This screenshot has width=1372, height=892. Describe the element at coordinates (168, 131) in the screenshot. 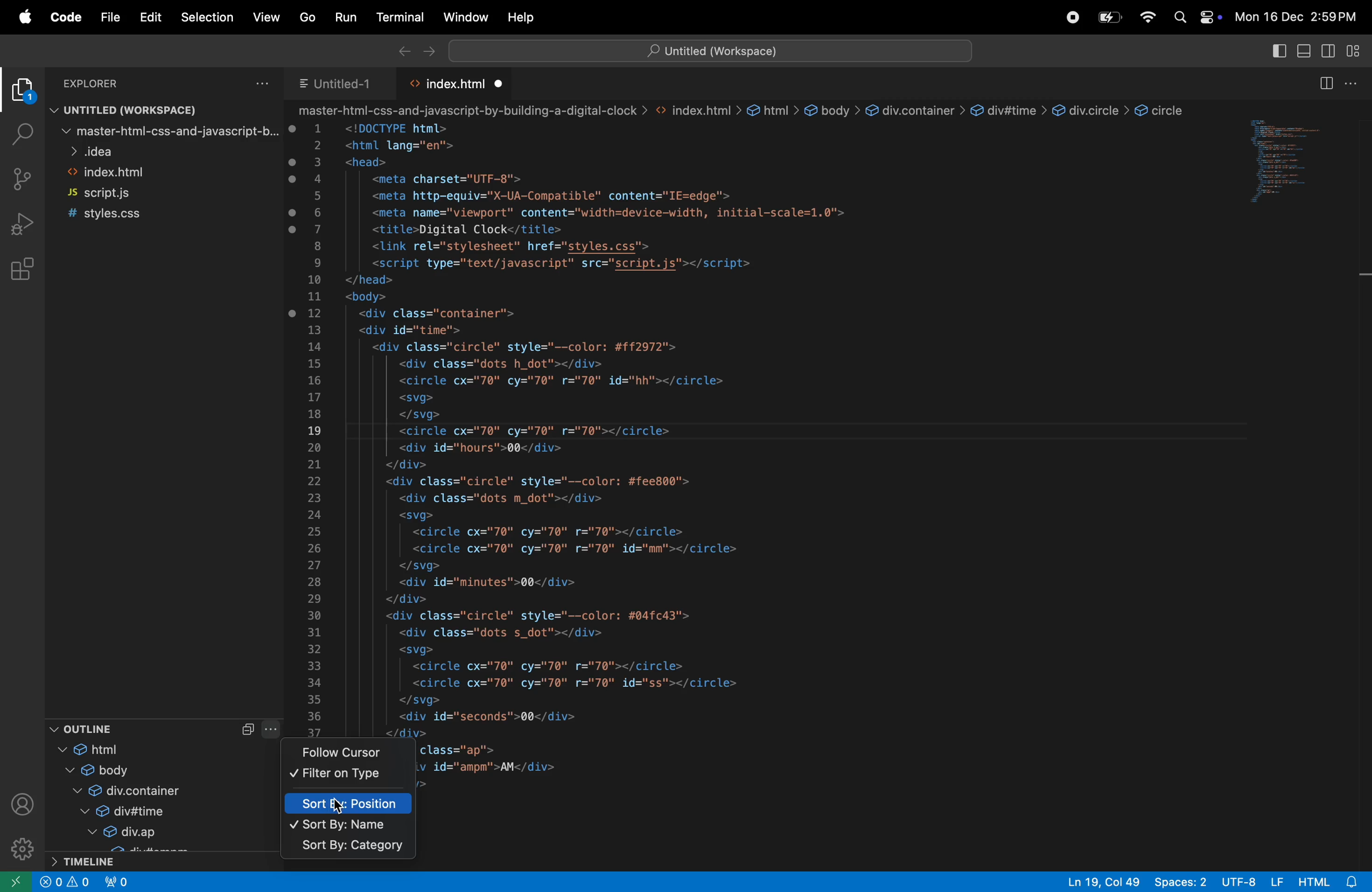

I see `master file` at that location.